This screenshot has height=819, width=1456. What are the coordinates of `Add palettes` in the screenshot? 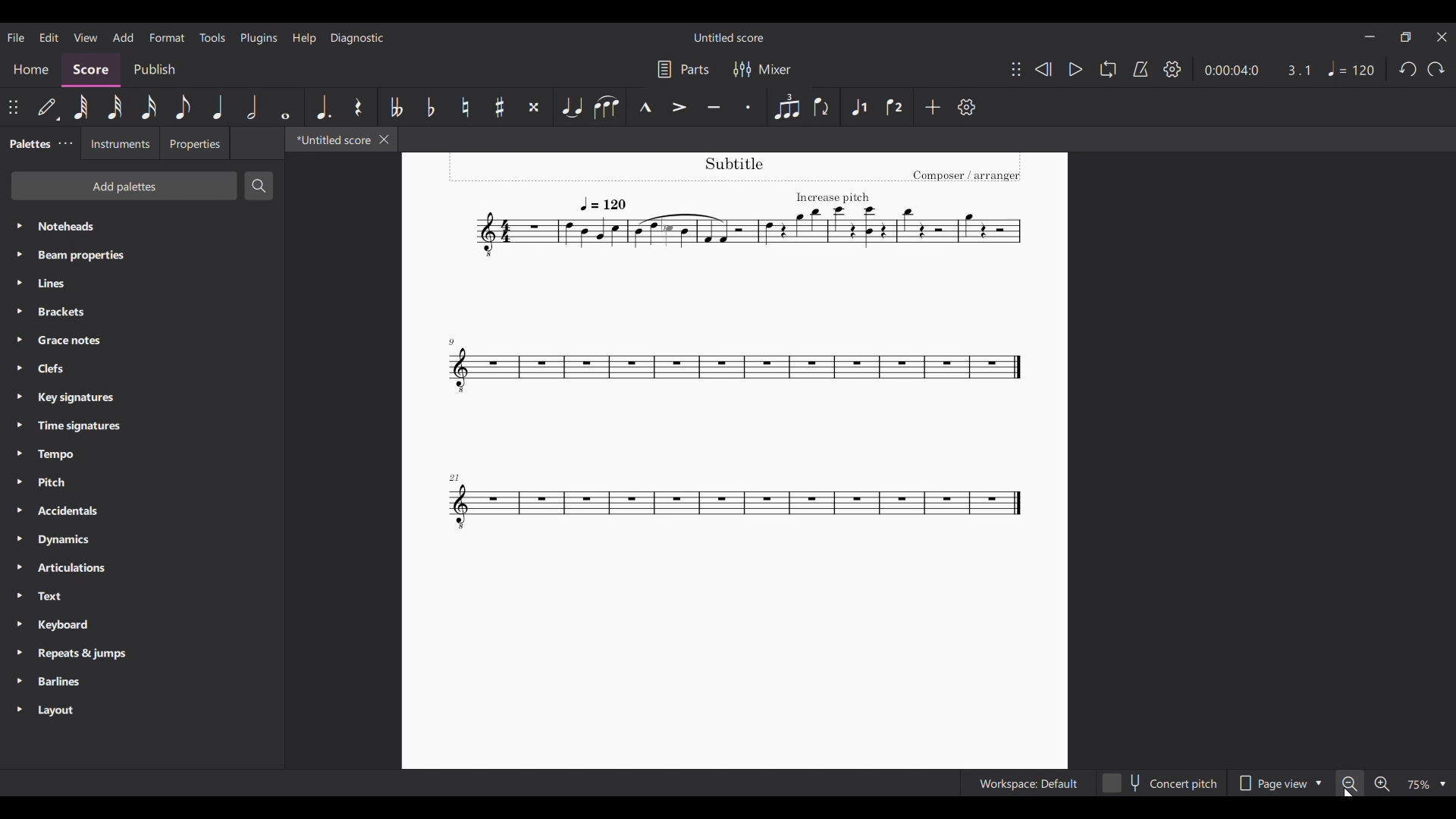 It's located at (124, 185).